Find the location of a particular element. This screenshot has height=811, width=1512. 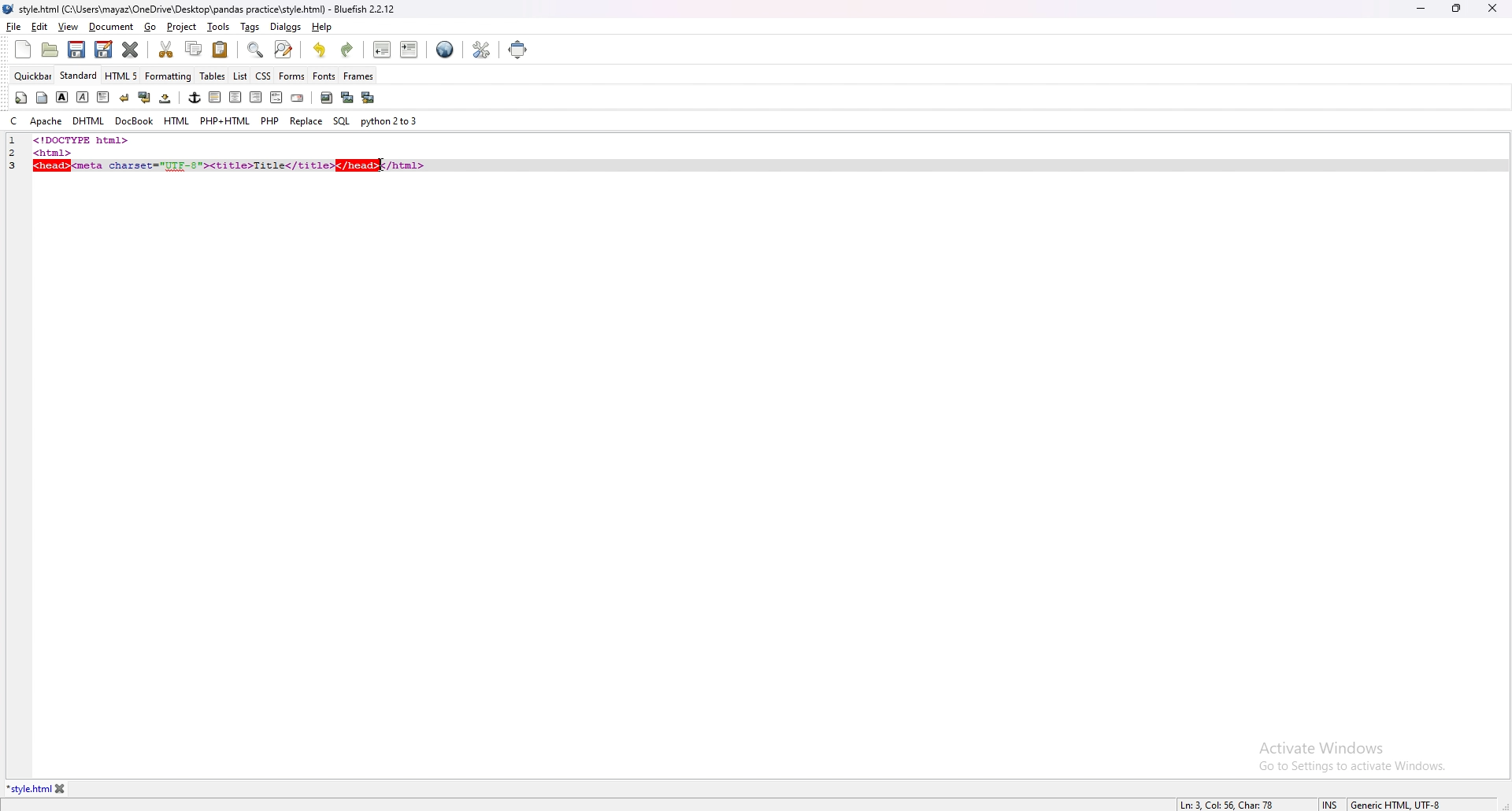

file name is located at coordinates (202, 10).